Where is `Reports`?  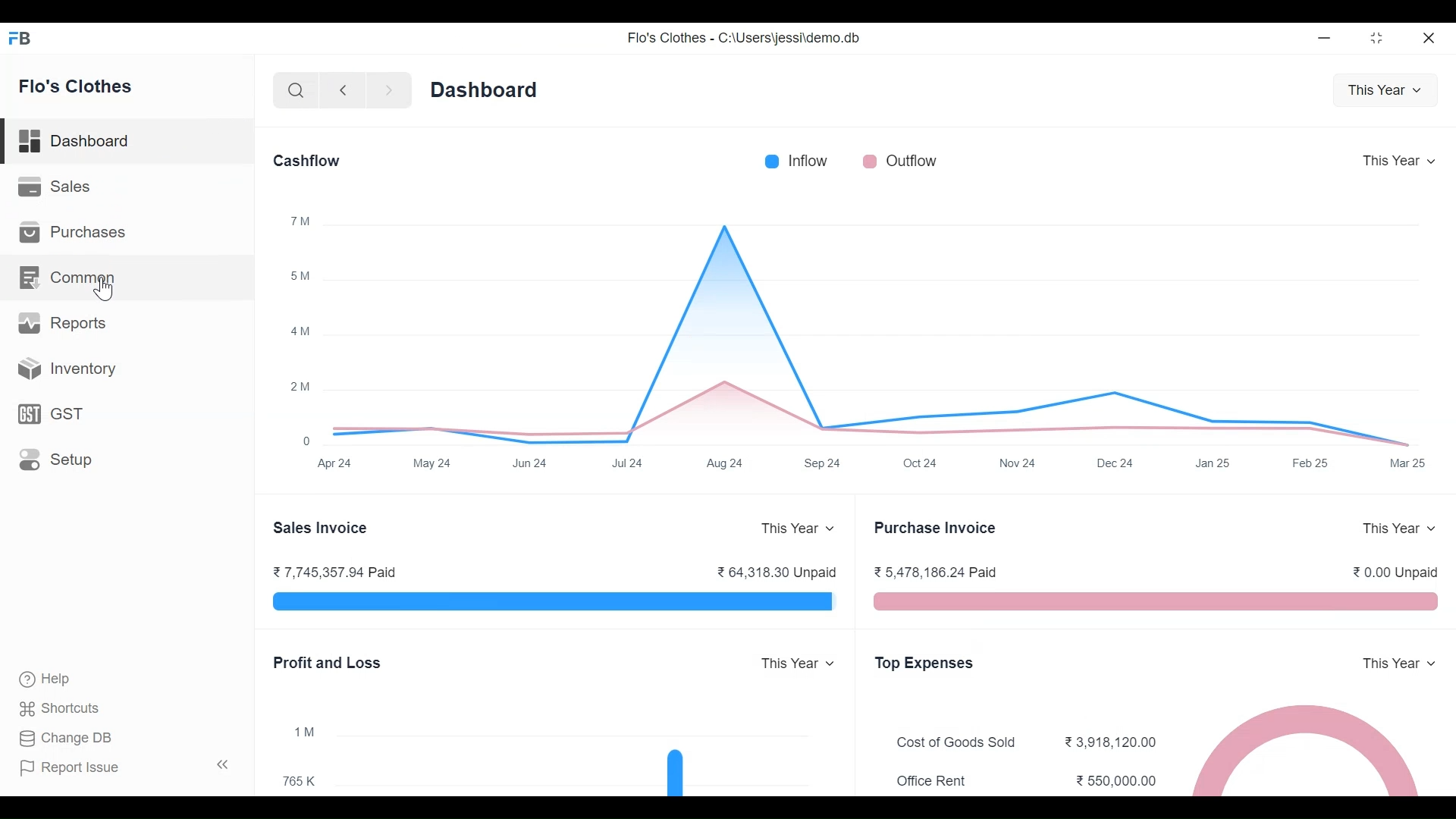
Reports is located at coordinates (61, 321).